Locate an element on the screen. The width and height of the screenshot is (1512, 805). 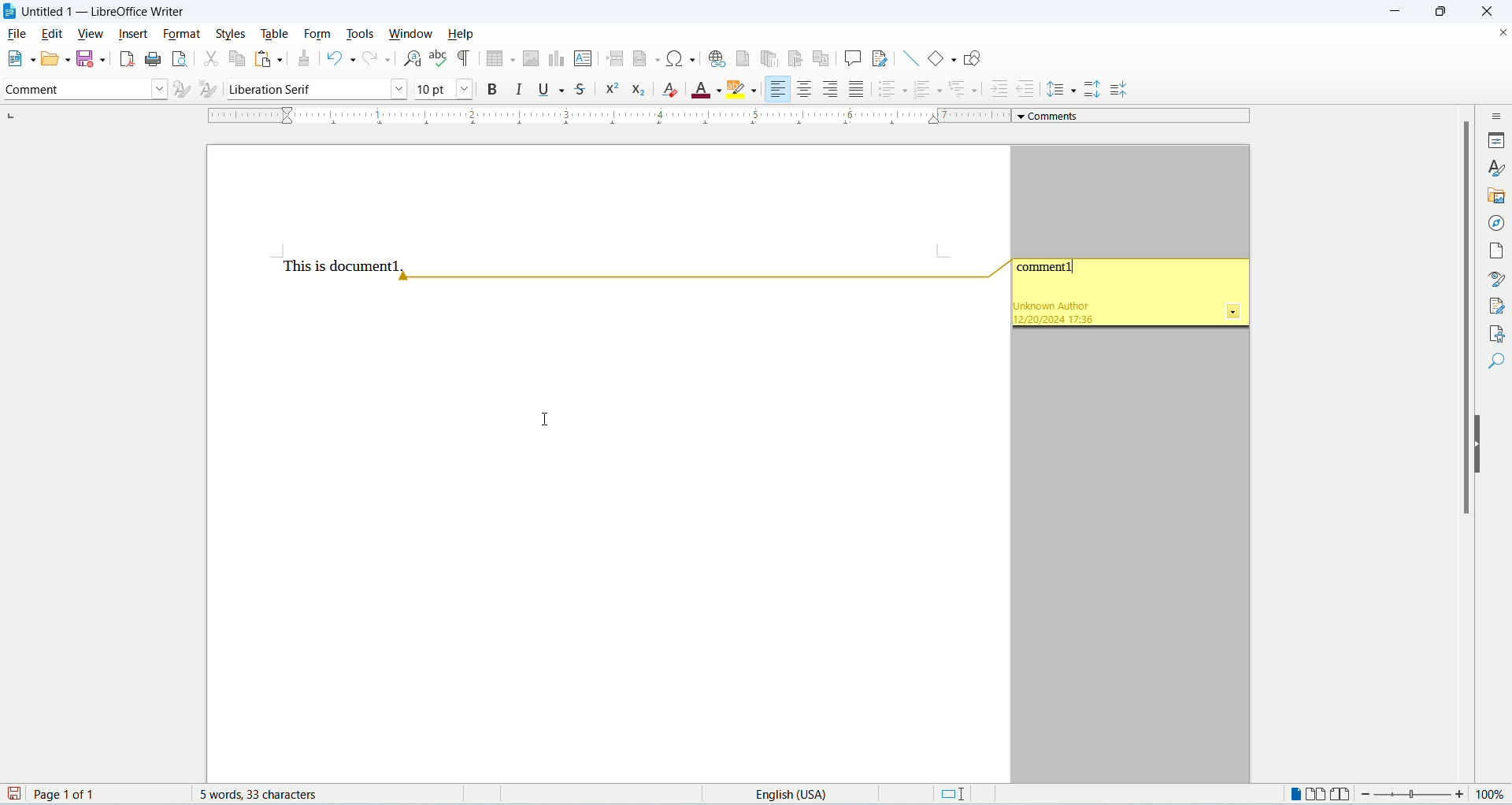
double page view is located at coordinates (1315, 793).